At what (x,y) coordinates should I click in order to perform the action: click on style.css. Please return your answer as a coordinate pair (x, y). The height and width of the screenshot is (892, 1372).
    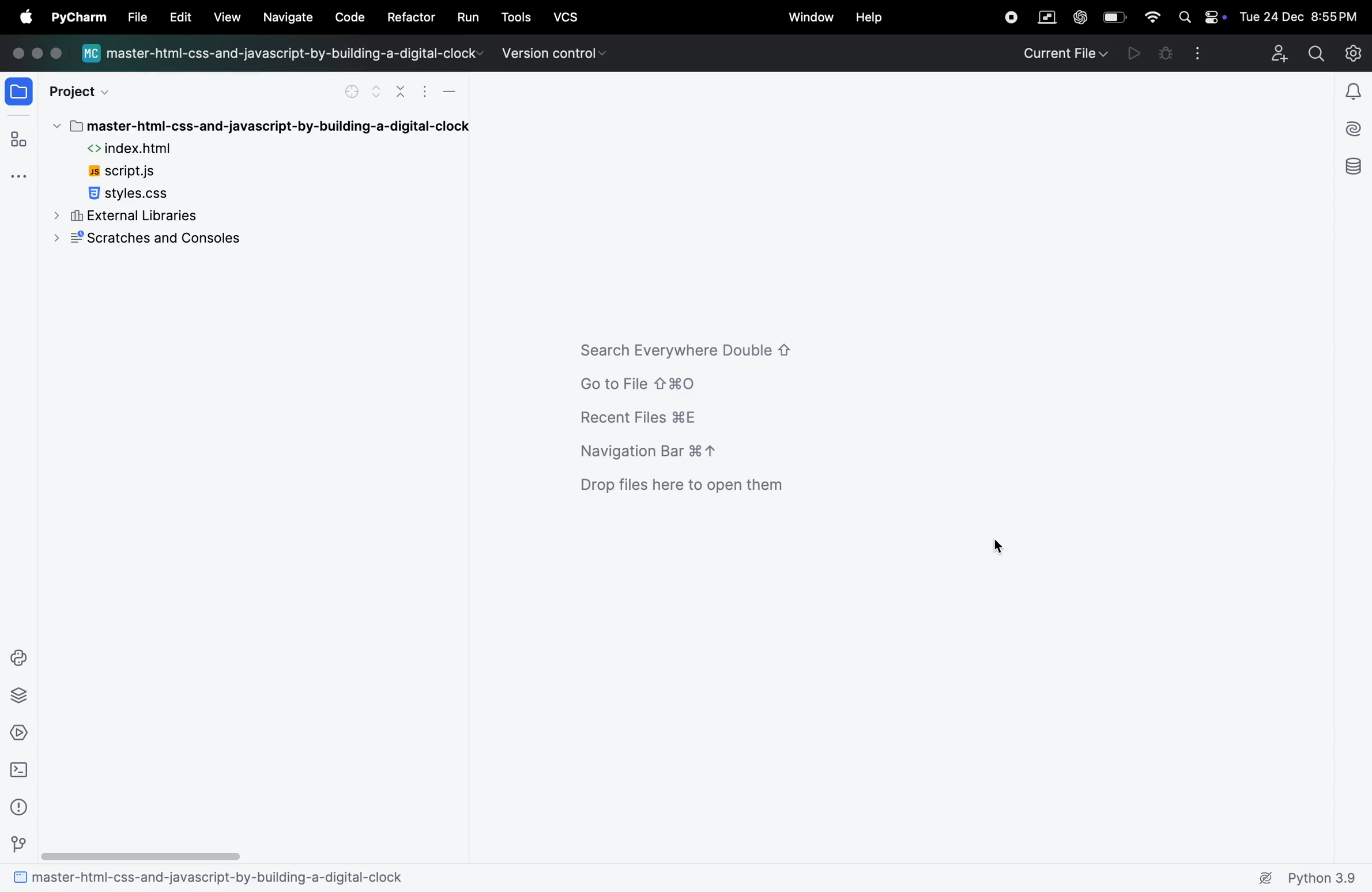
    Looking at the image, I should click on (145, 193).